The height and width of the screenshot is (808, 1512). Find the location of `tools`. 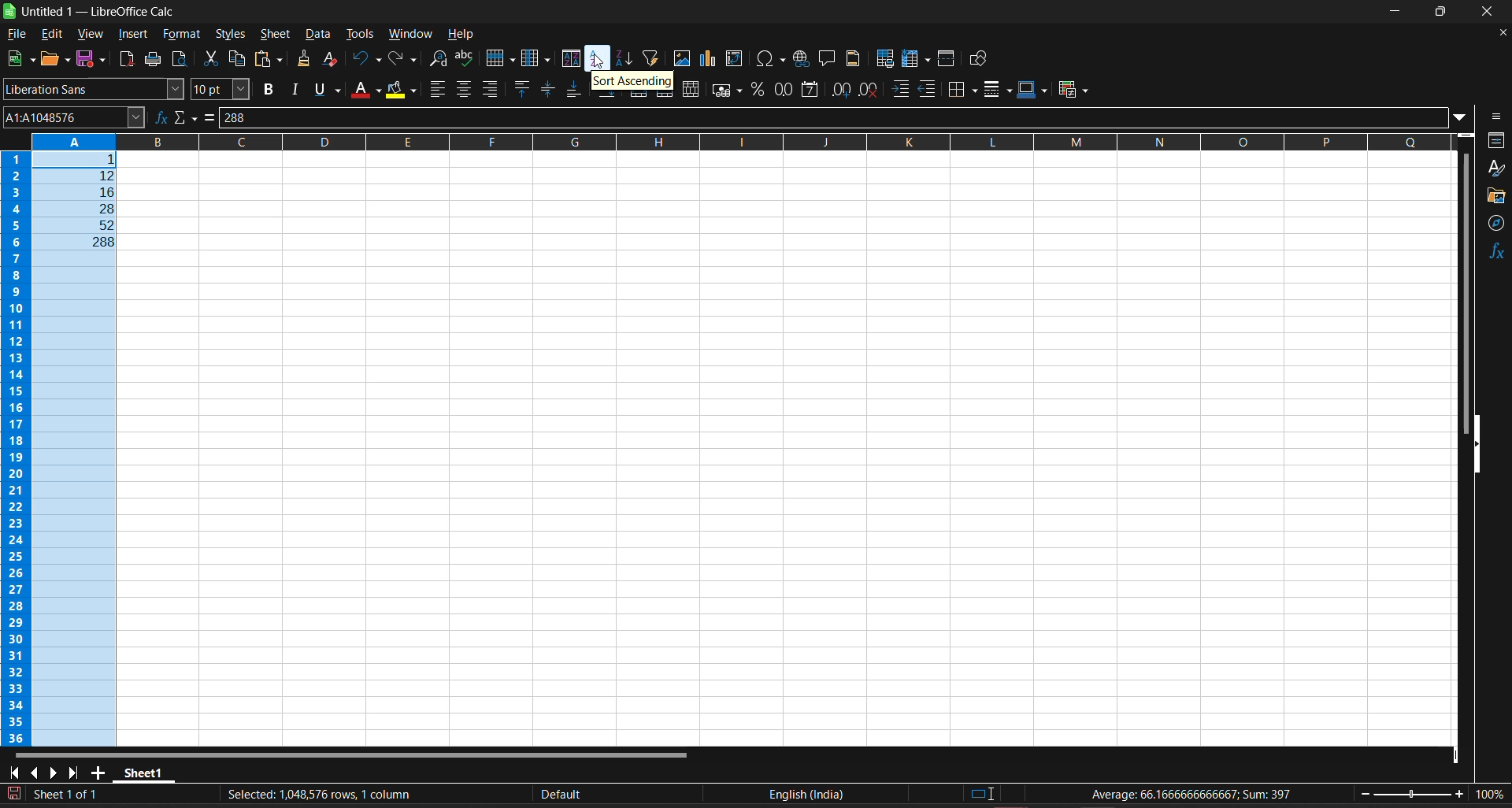

tools is located at coordinates (362, 34).